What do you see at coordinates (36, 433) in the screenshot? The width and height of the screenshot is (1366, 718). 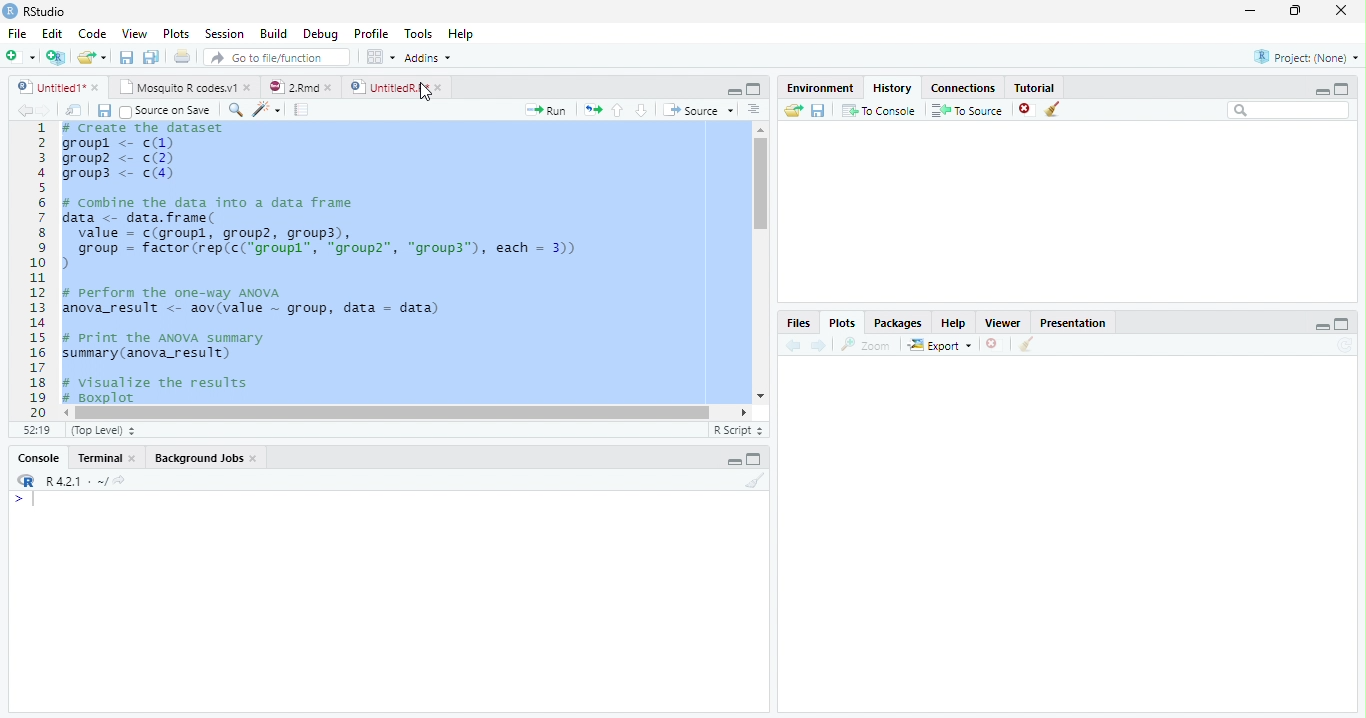 I see `1:1` at bounding box center [36, 433].